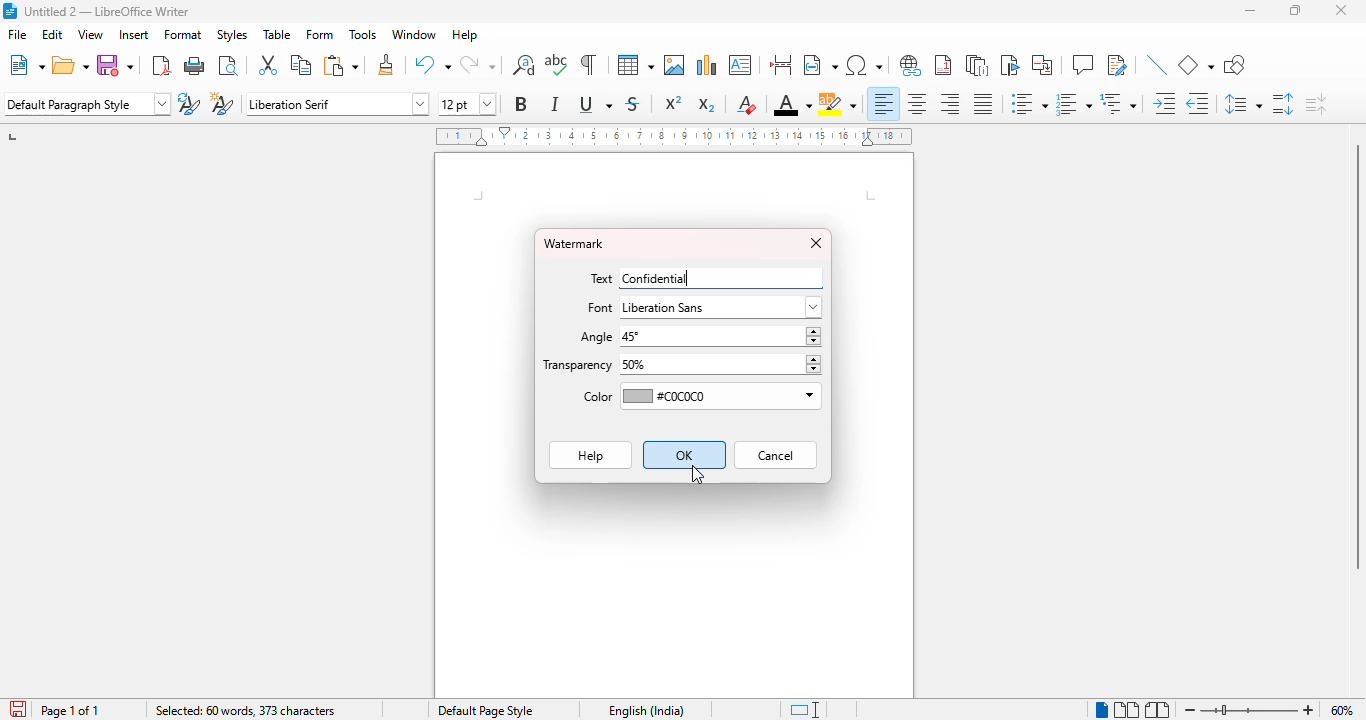  I want to click on Transparency, so click(578, 366).